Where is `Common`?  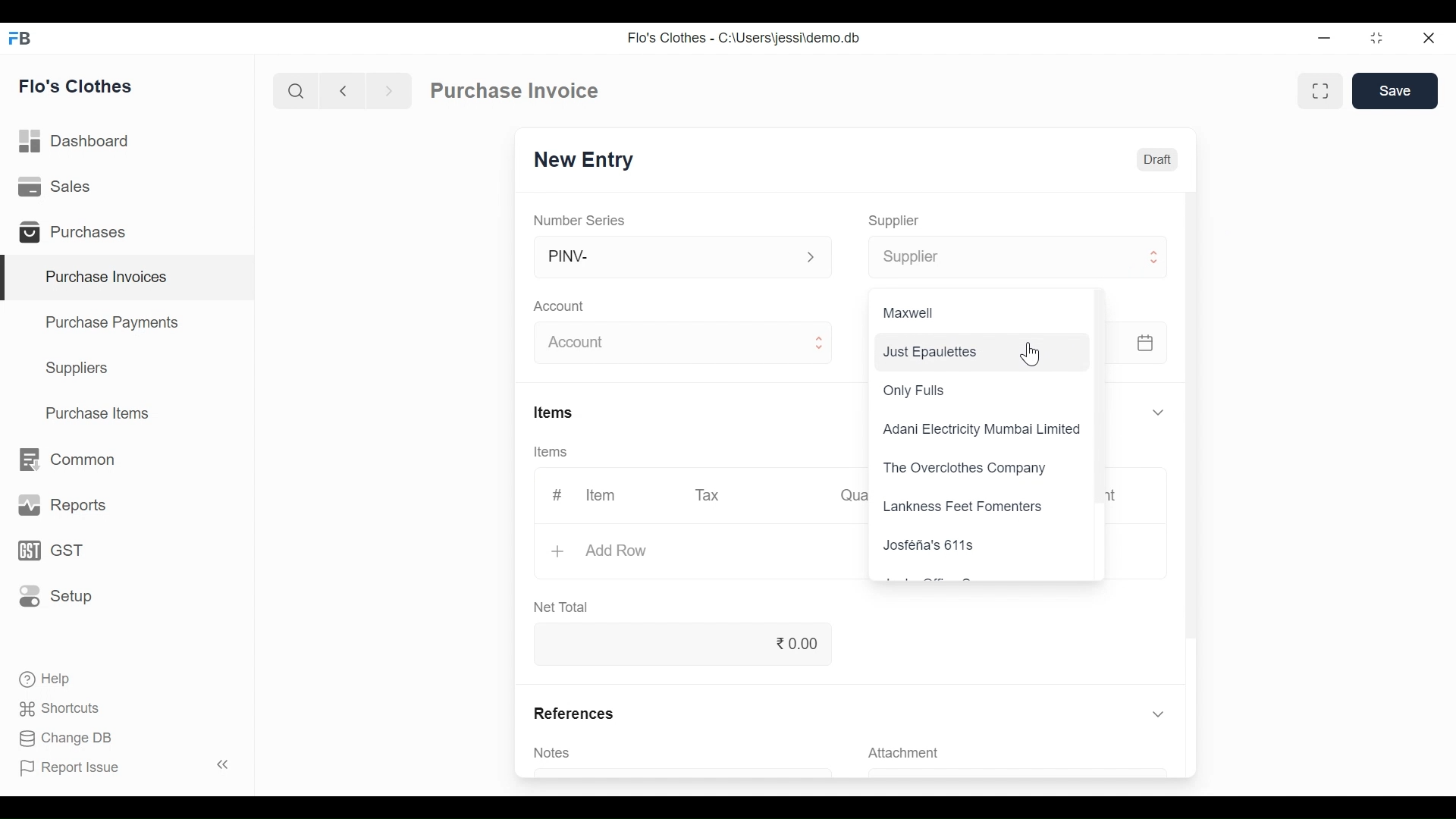 Common is located at coordinates (70, 459).